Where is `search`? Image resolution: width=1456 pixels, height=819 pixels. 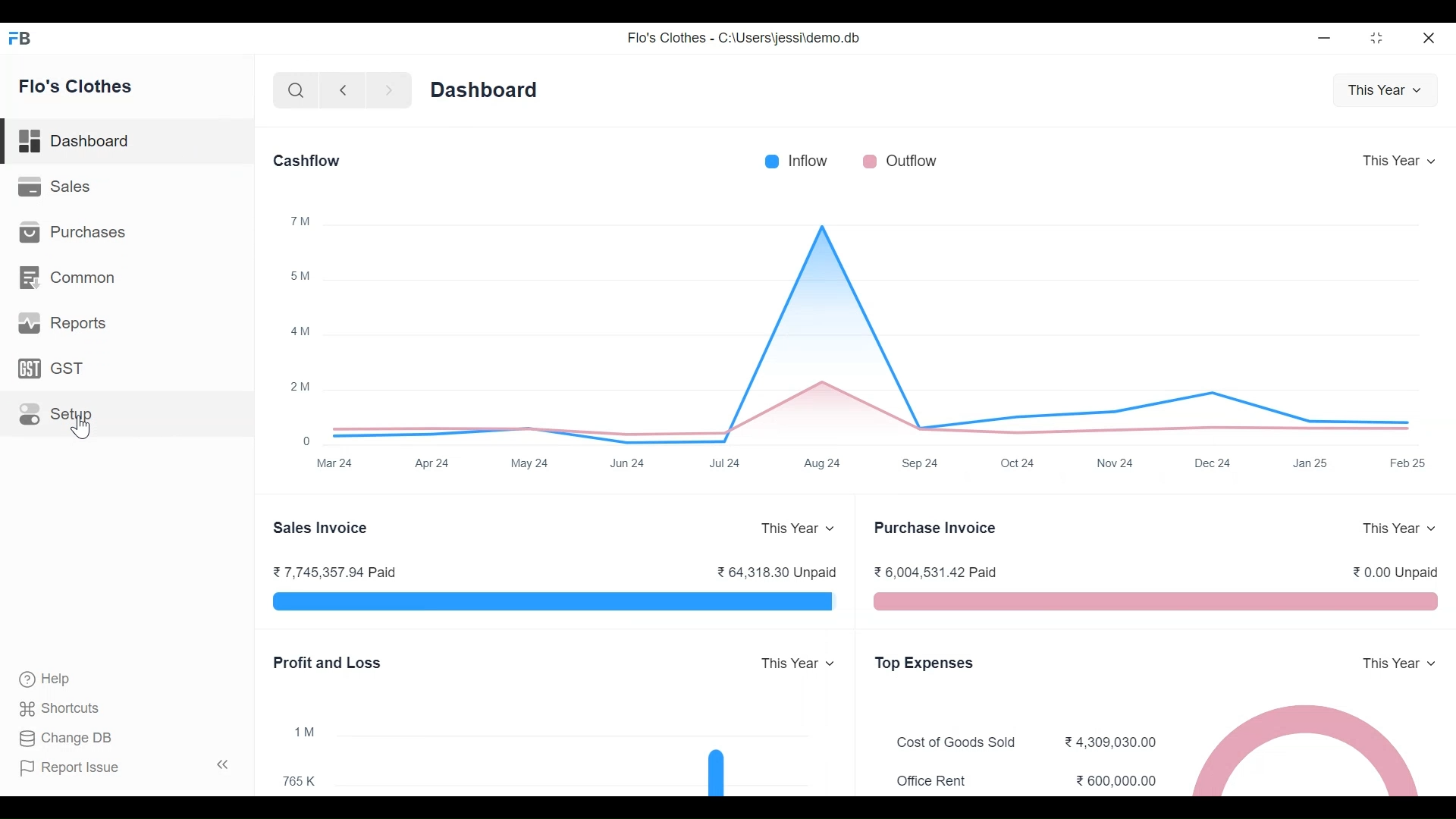
search is located at coordinates (295, 90).